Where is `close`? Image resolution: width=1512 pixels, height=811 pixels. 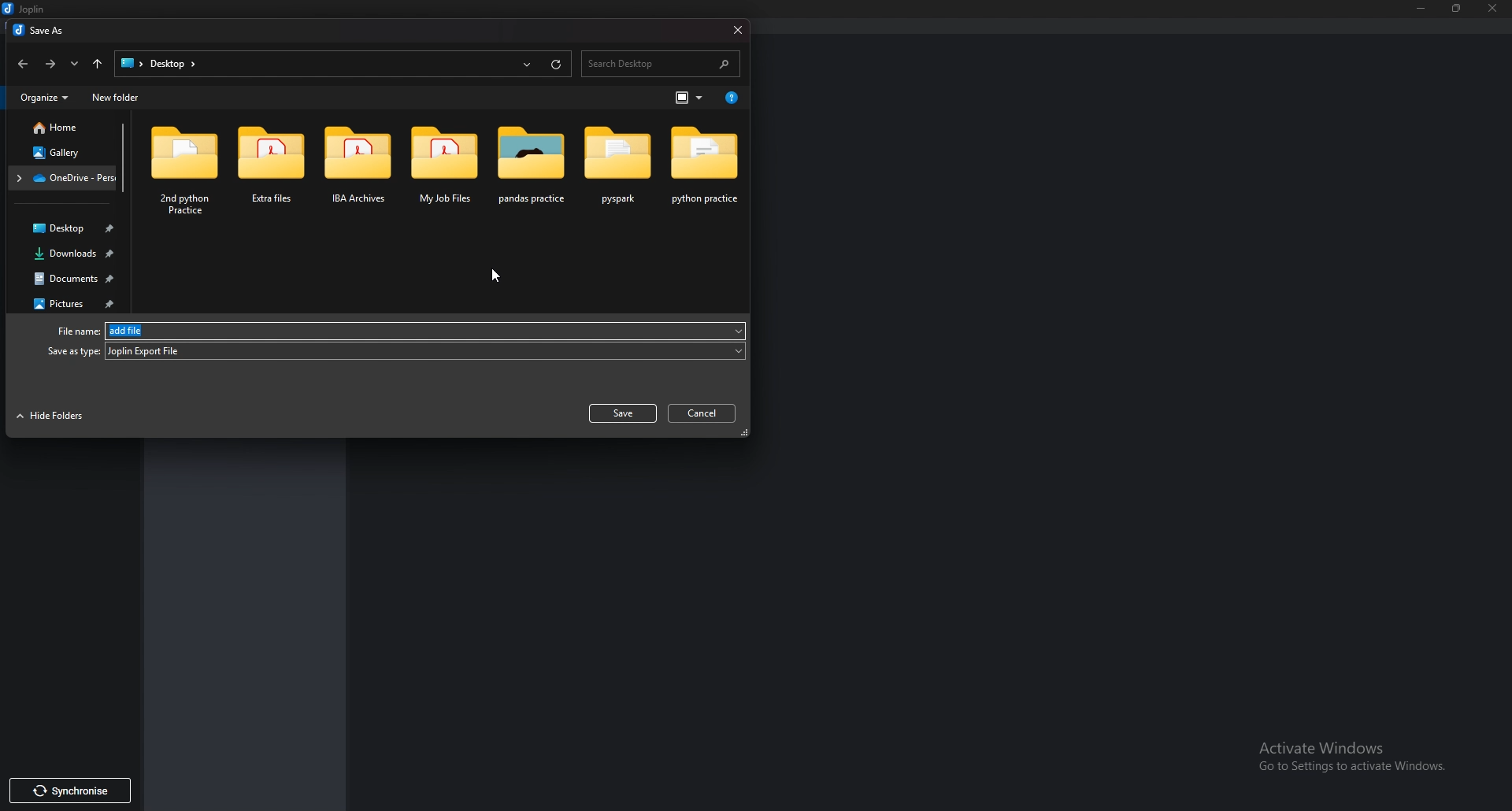
close is located at coordinates (1493, 10).